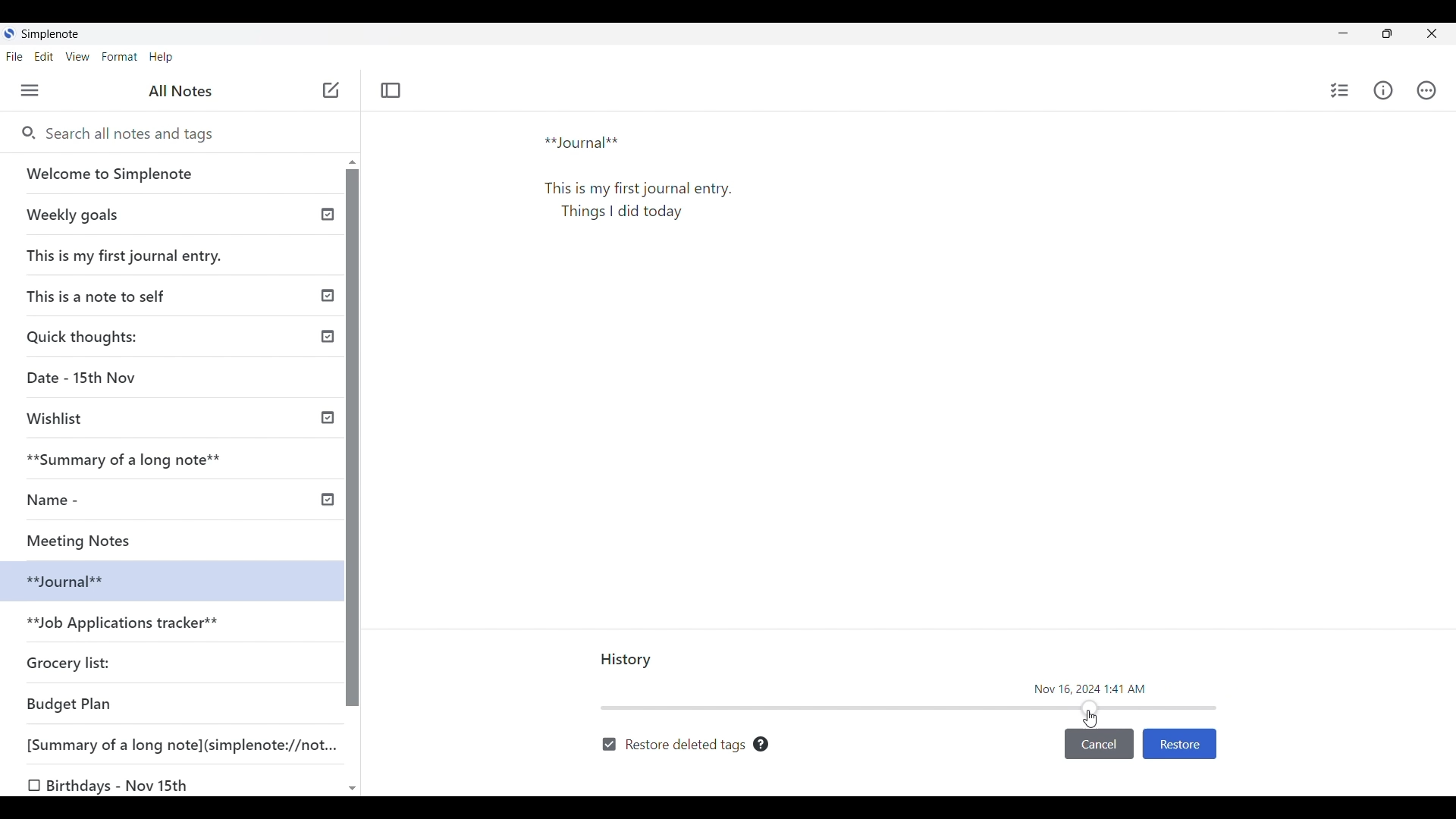  What do you see at coordinates (167, 579) in the screenshot?
I see `selected note` at bounding box center [167, 579].